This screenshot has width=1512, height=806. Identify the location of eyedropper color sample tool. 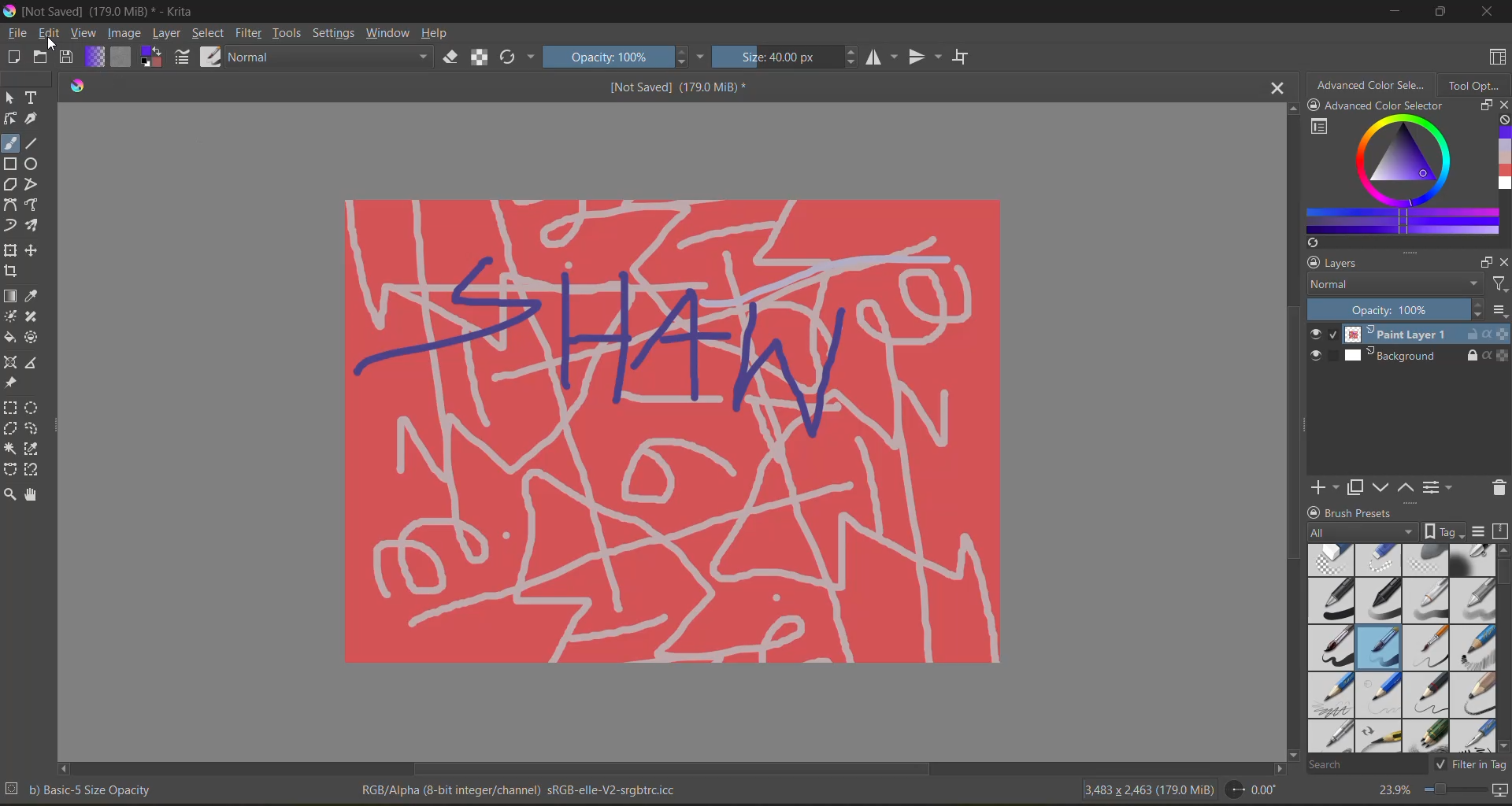
(33, 298).